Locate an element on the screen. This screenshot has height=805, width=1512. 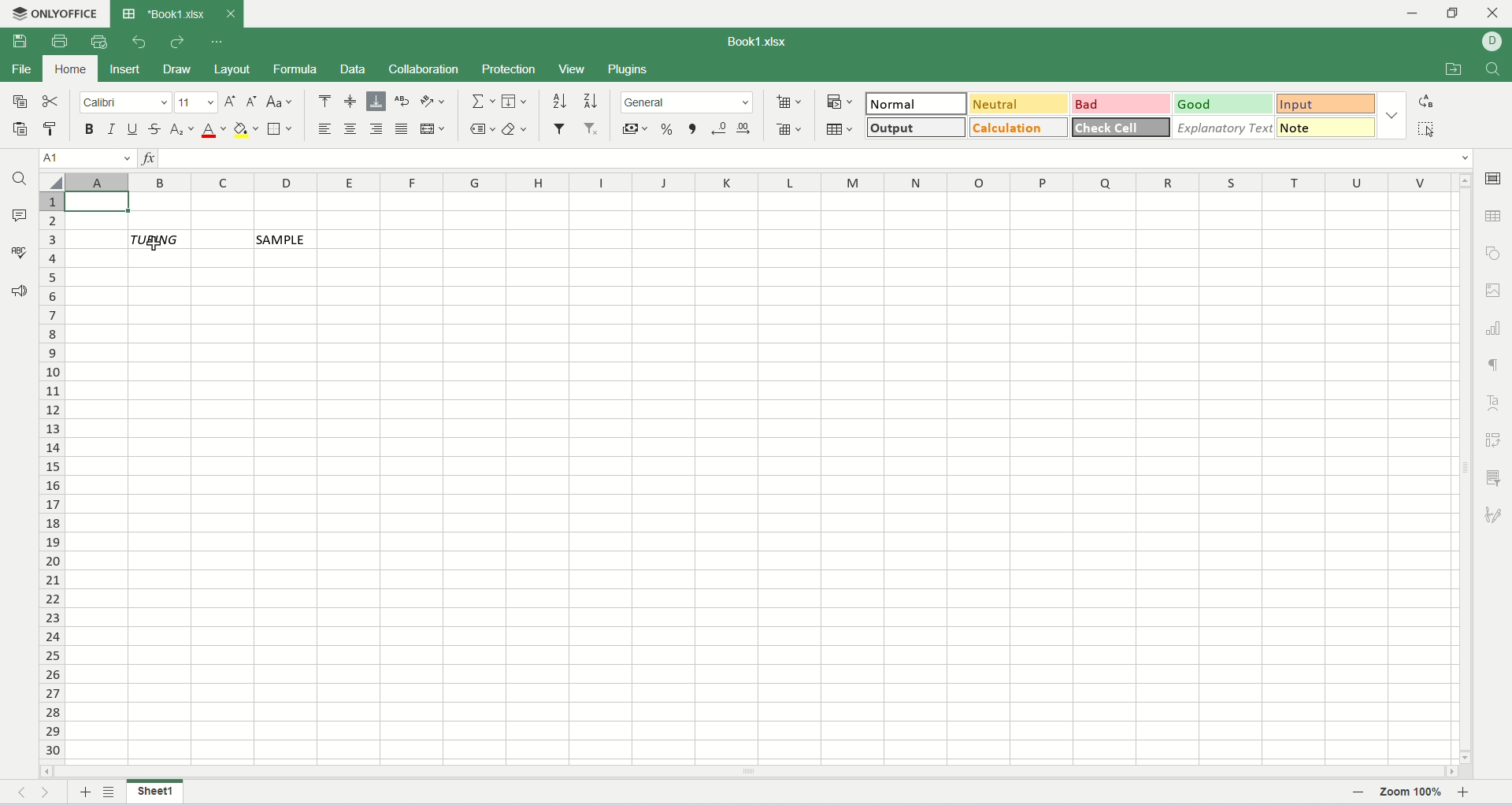
paragraph settings is located at coordinates (1495, 365).